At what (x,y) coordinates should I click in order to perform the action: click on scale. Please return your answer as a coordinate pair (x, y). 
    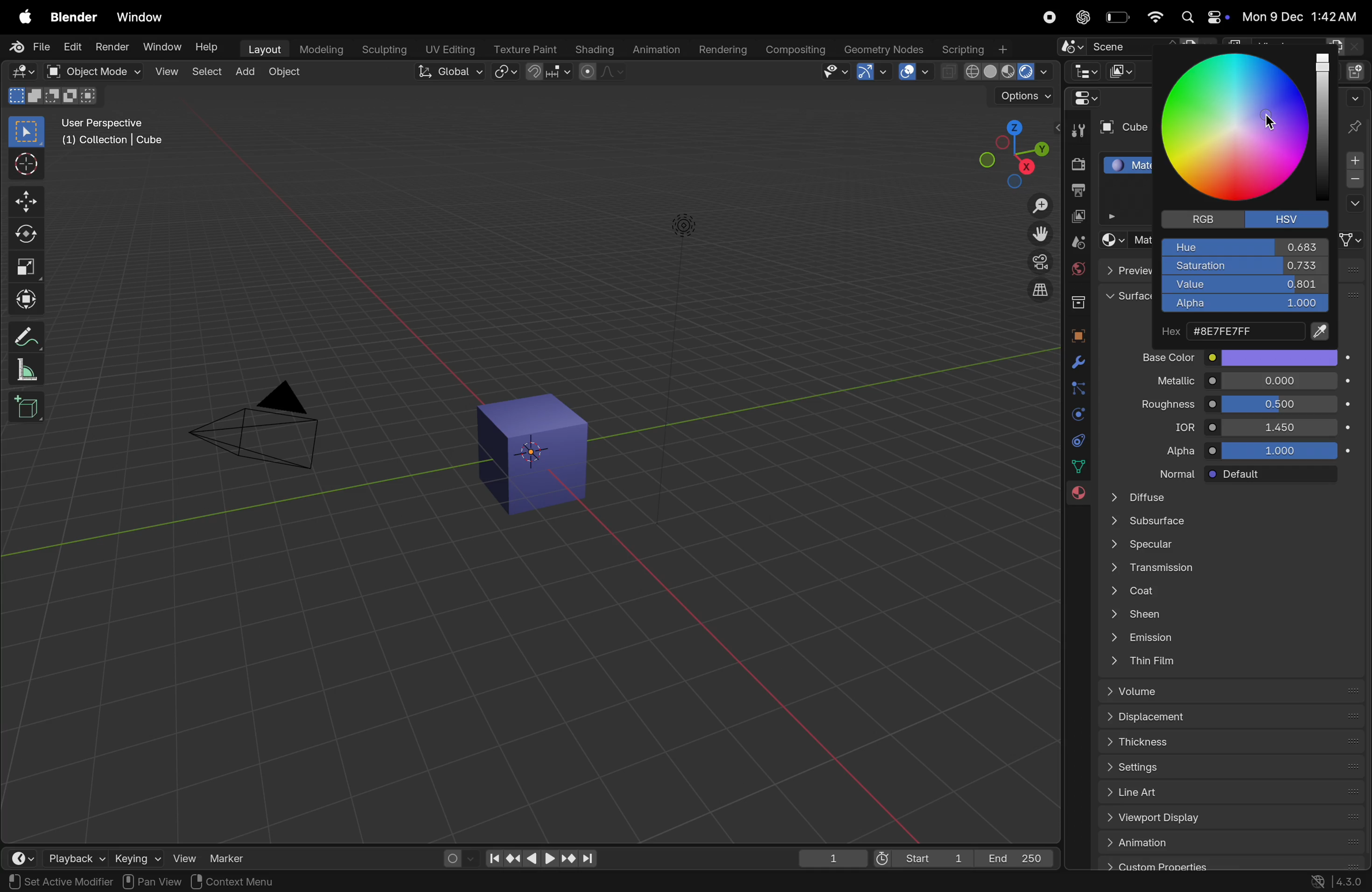
    Looking at the image, I should click on (25, 266).